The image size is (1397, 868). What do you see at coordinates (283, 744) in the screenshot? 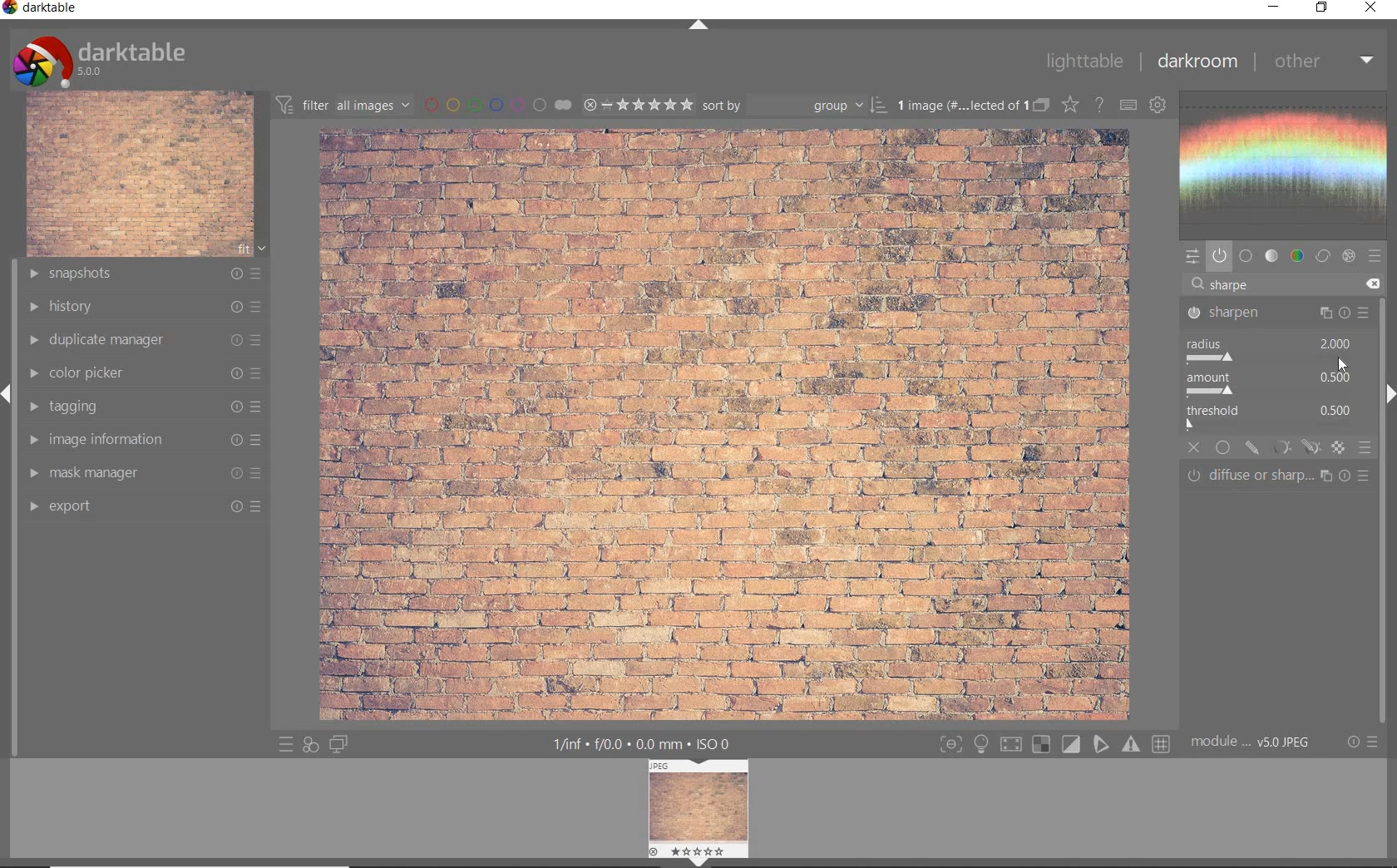
I see `quick access to preset` at bounding box center [283, 744].